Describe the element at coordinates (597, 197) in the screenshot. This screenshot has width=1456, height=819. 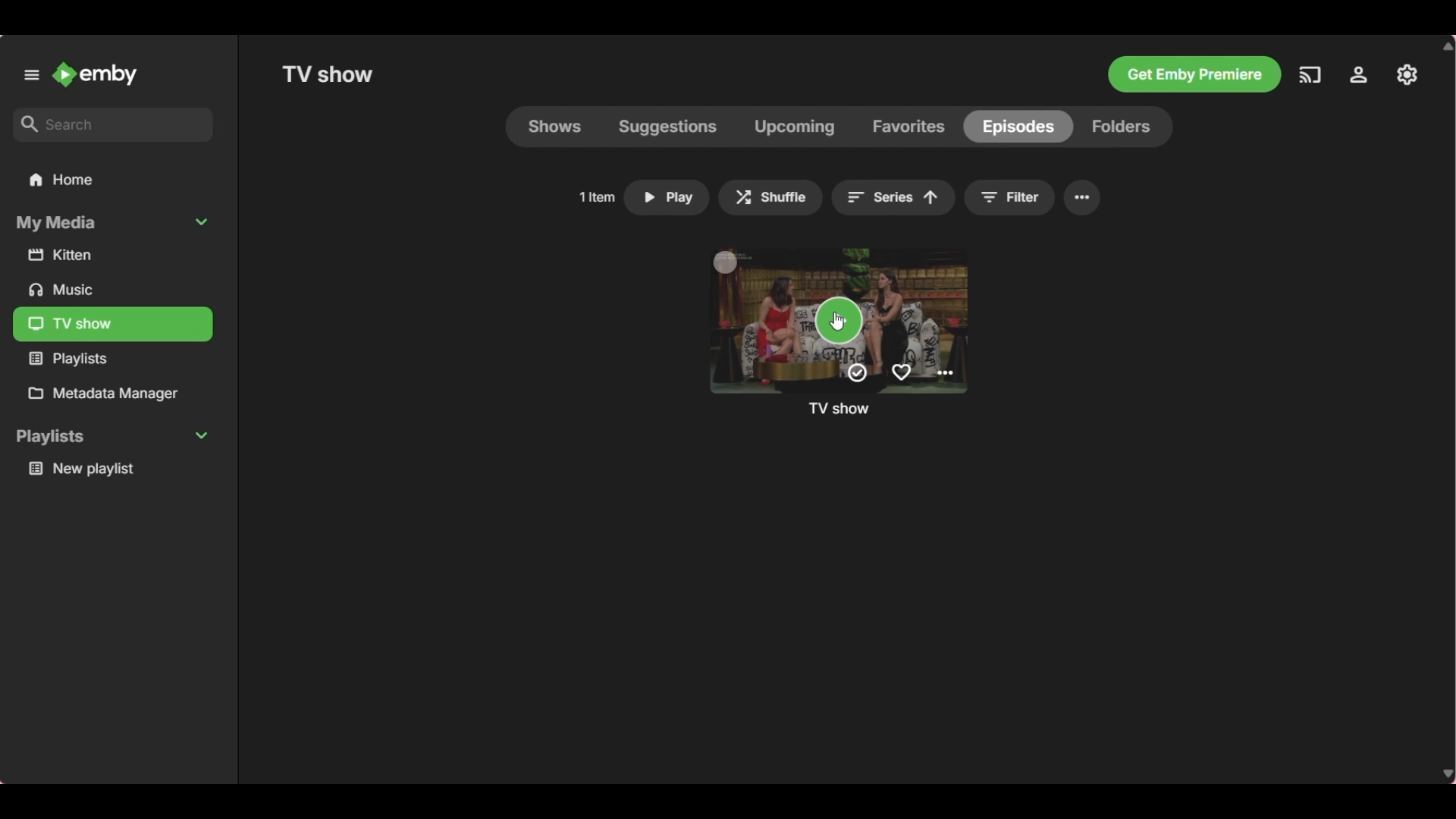
I see `Number of items in selected folder` at that location.